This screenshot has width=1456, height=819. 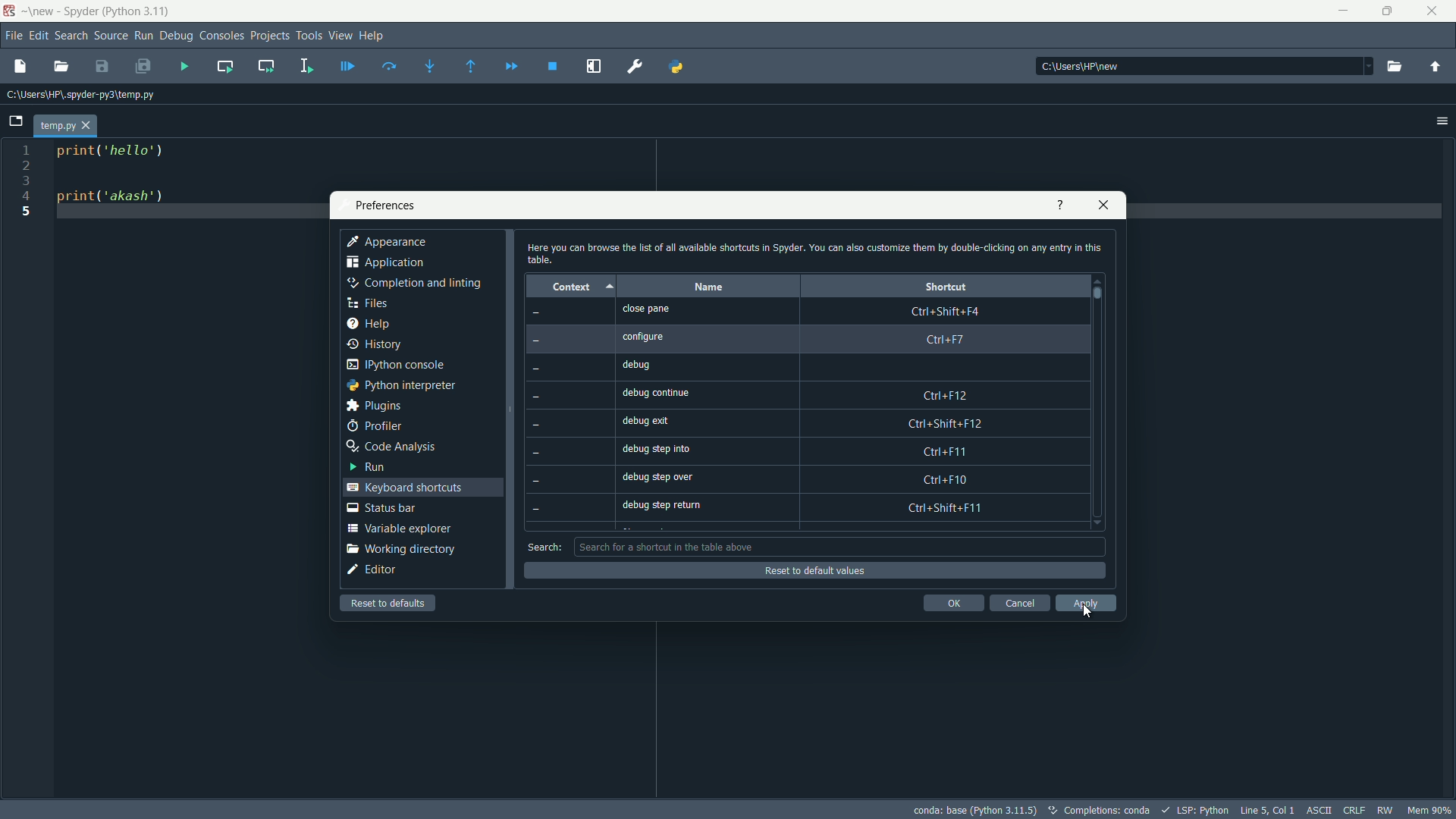 What do you see at coordinates (1095, 293) in the screenshot?
I see `scroll bar` at bounding box center [1095, 293].